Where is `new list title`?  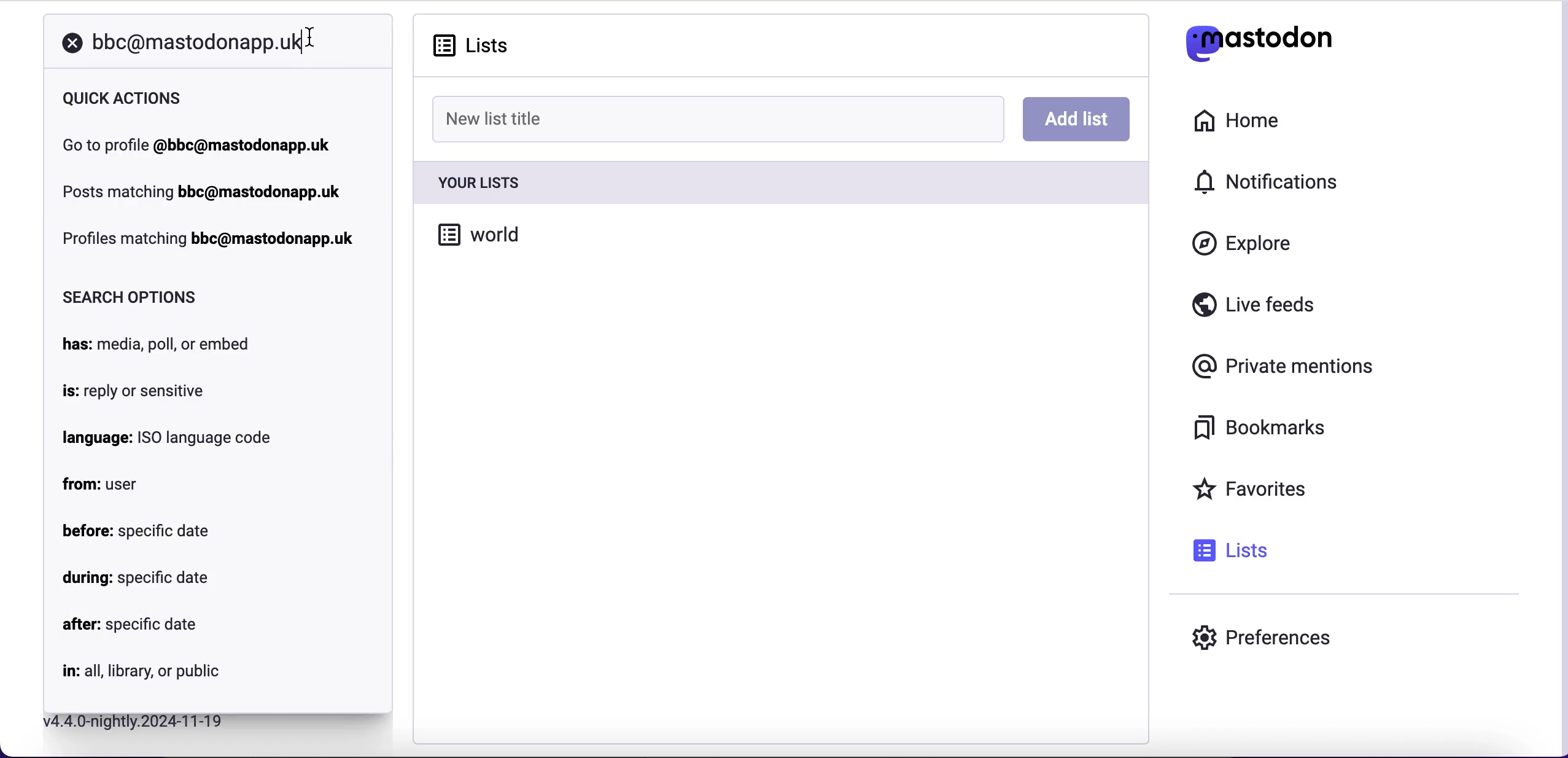 new list title is located at coordinates (718, 118).